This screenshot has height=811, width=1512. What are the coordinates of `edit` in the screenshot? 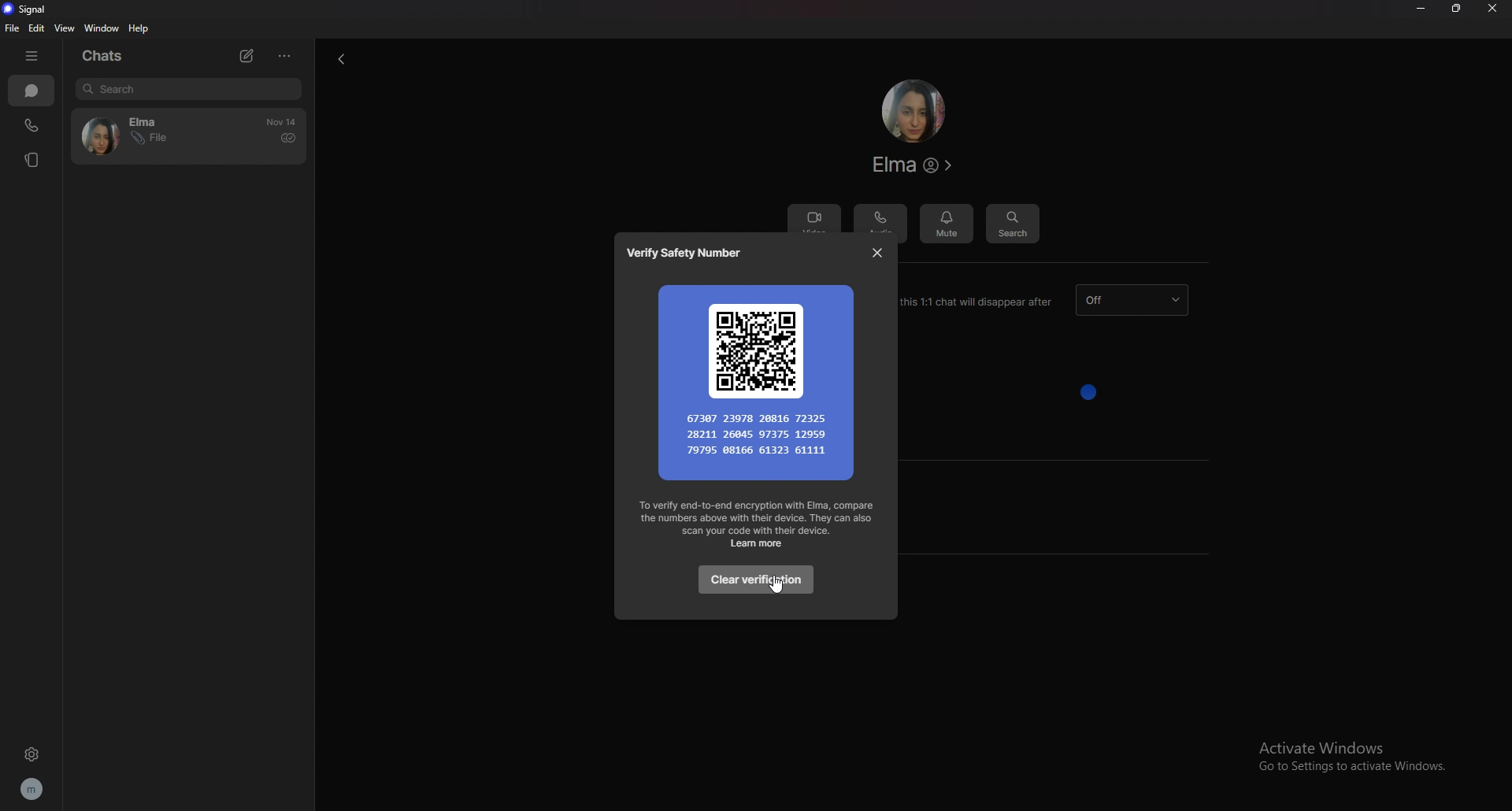 It's located at (39, 28).